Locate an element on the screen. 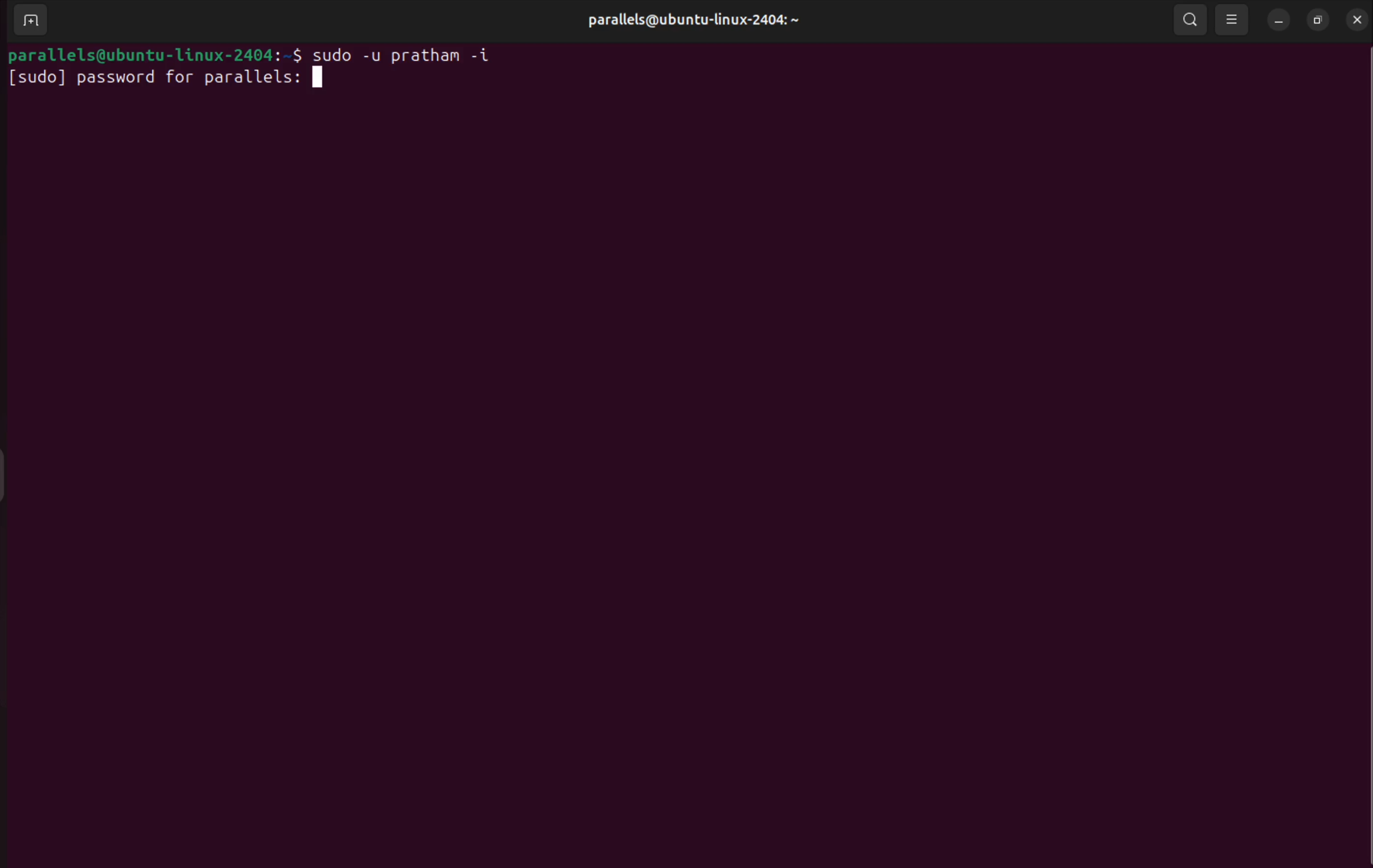  view options is located at coordinates (1235, 17).